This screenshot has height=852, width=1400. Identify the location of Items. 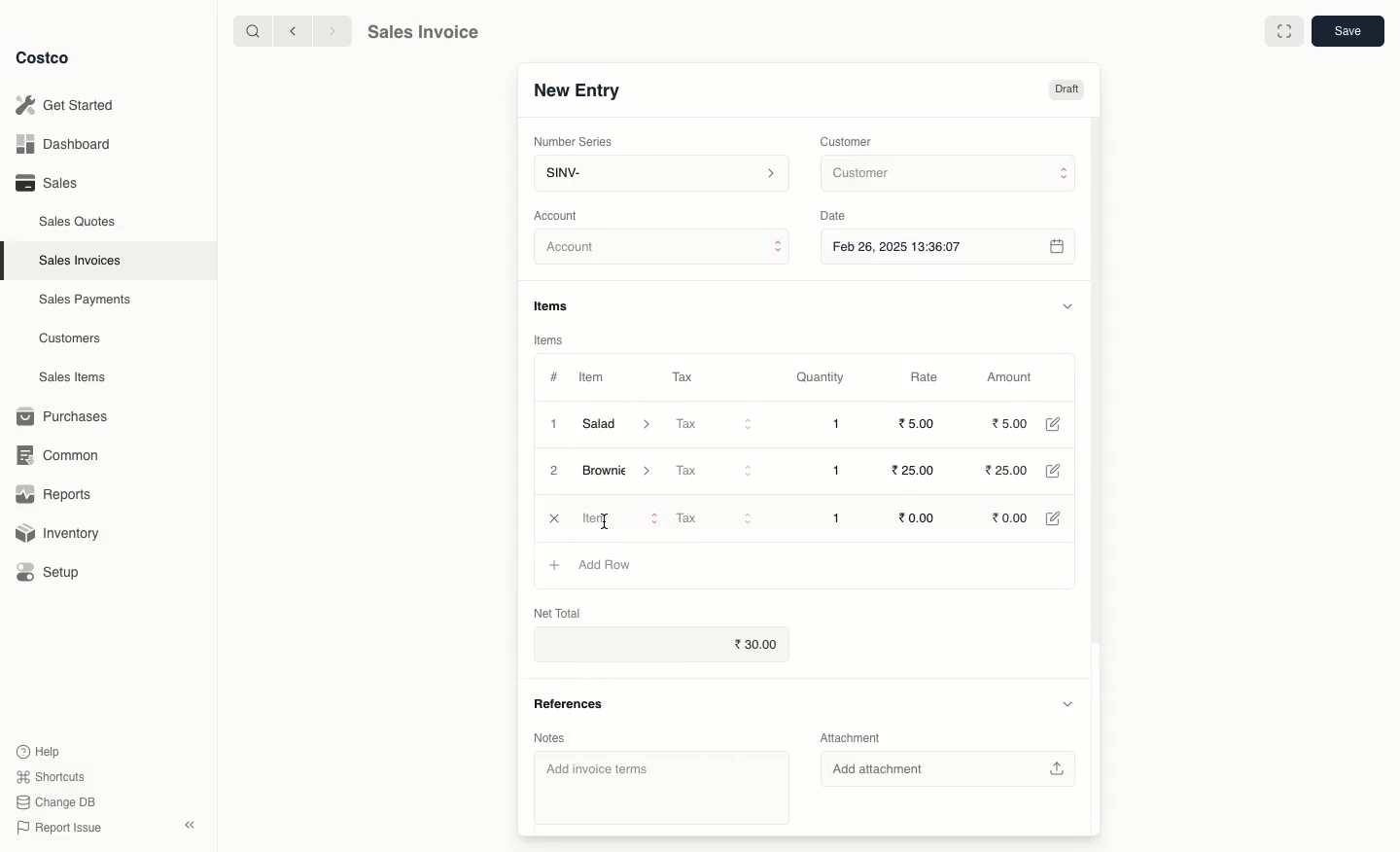
(549, 339).